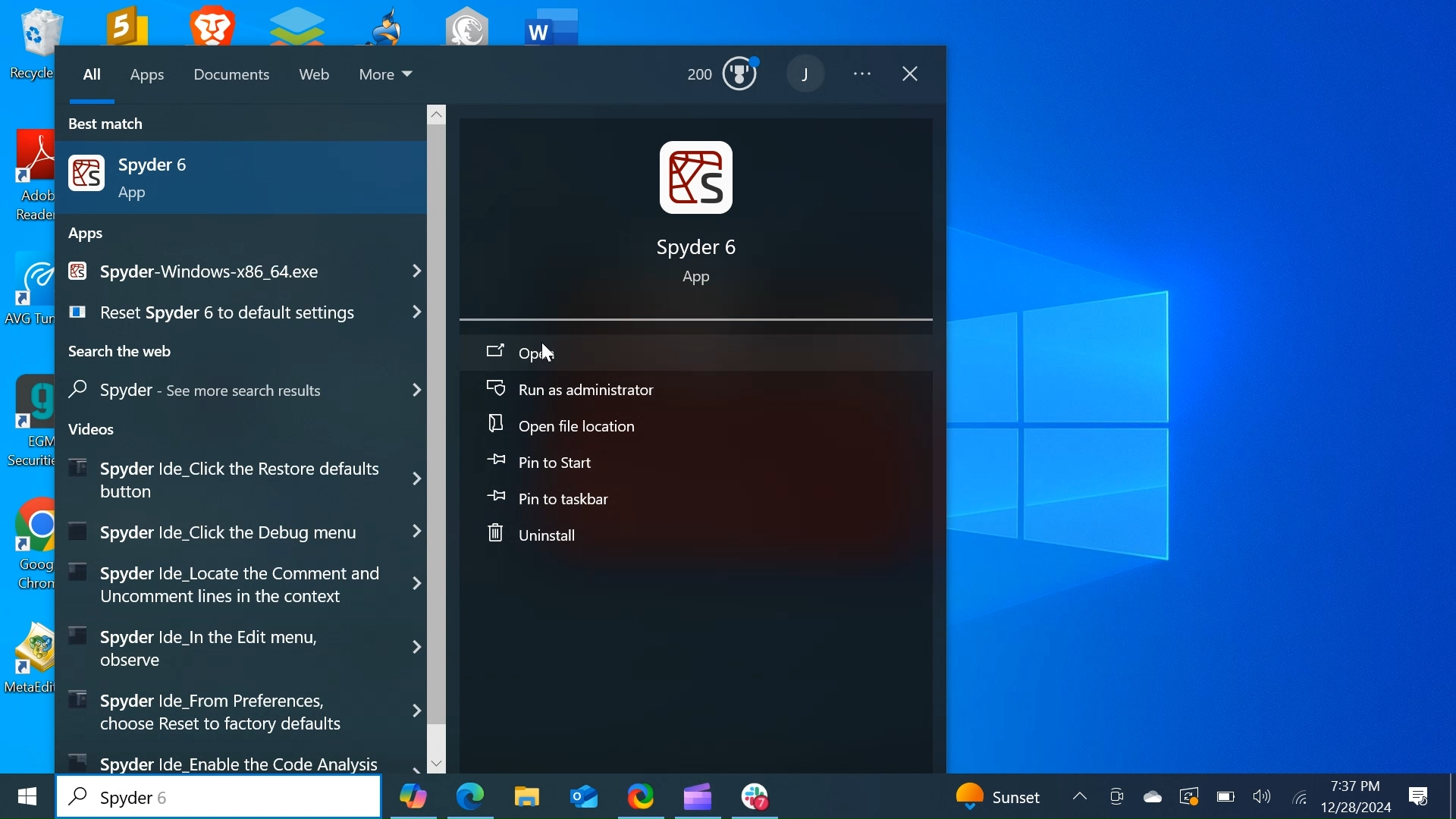  Describe the element at coordinates (912, 75) in the screenshot. I see `Close` at that location.